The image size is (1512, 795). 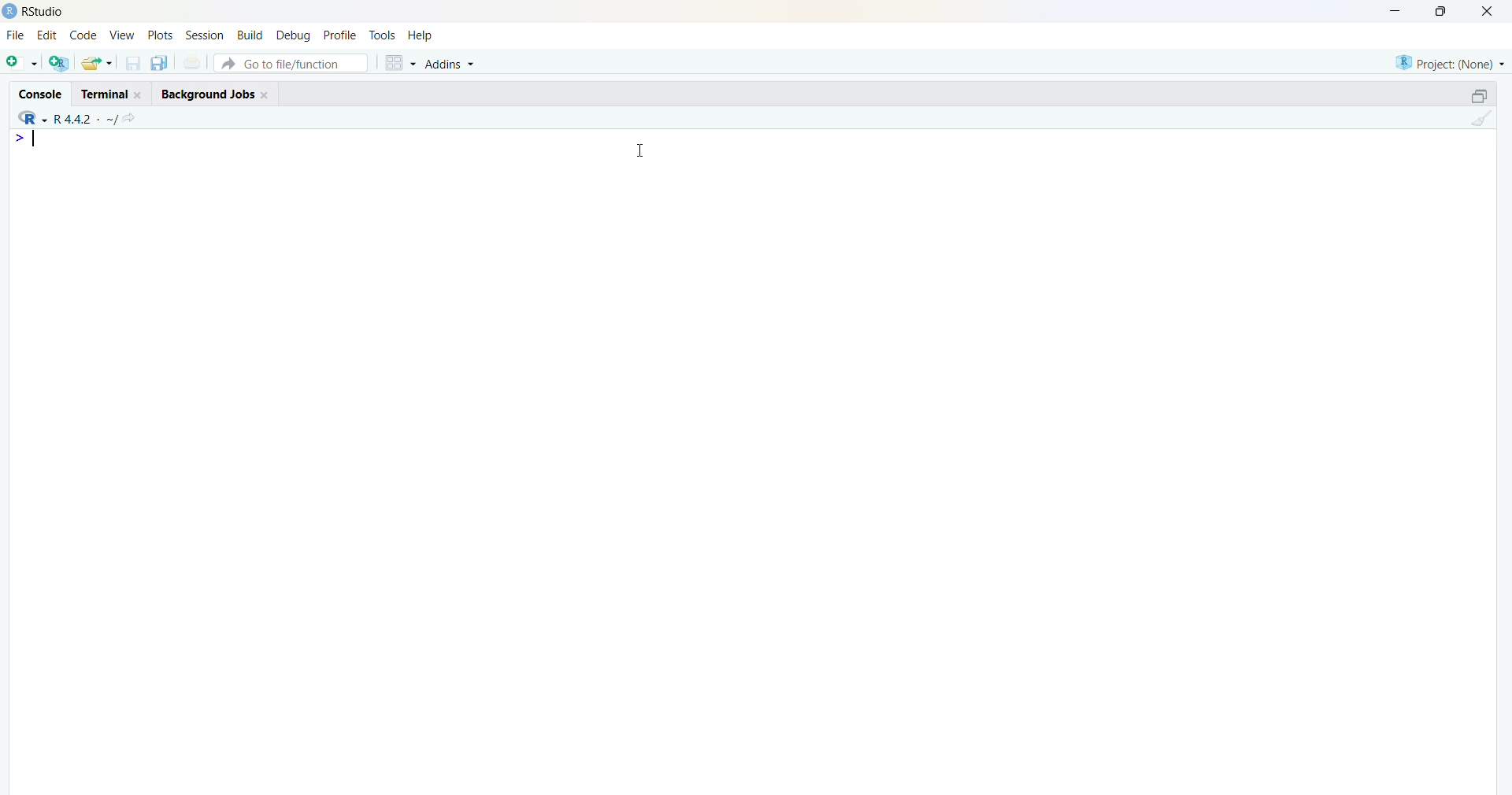 I want to click on clear console, so click(x=1479, y=118).